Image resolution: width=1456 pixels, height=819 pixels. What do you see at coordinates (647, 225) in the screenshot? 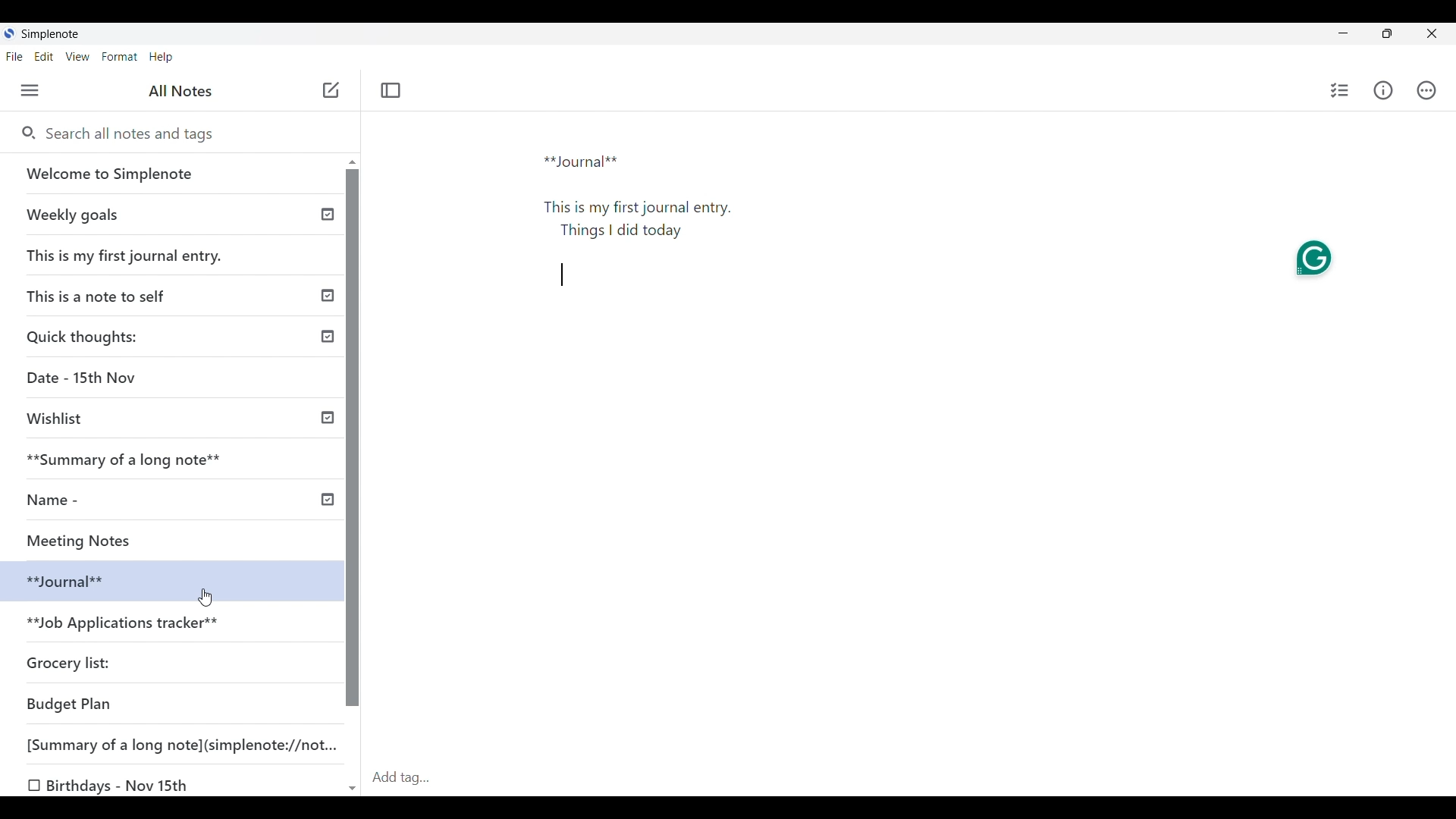
I see `Existing text in current note` at bounding box center [647, 225].